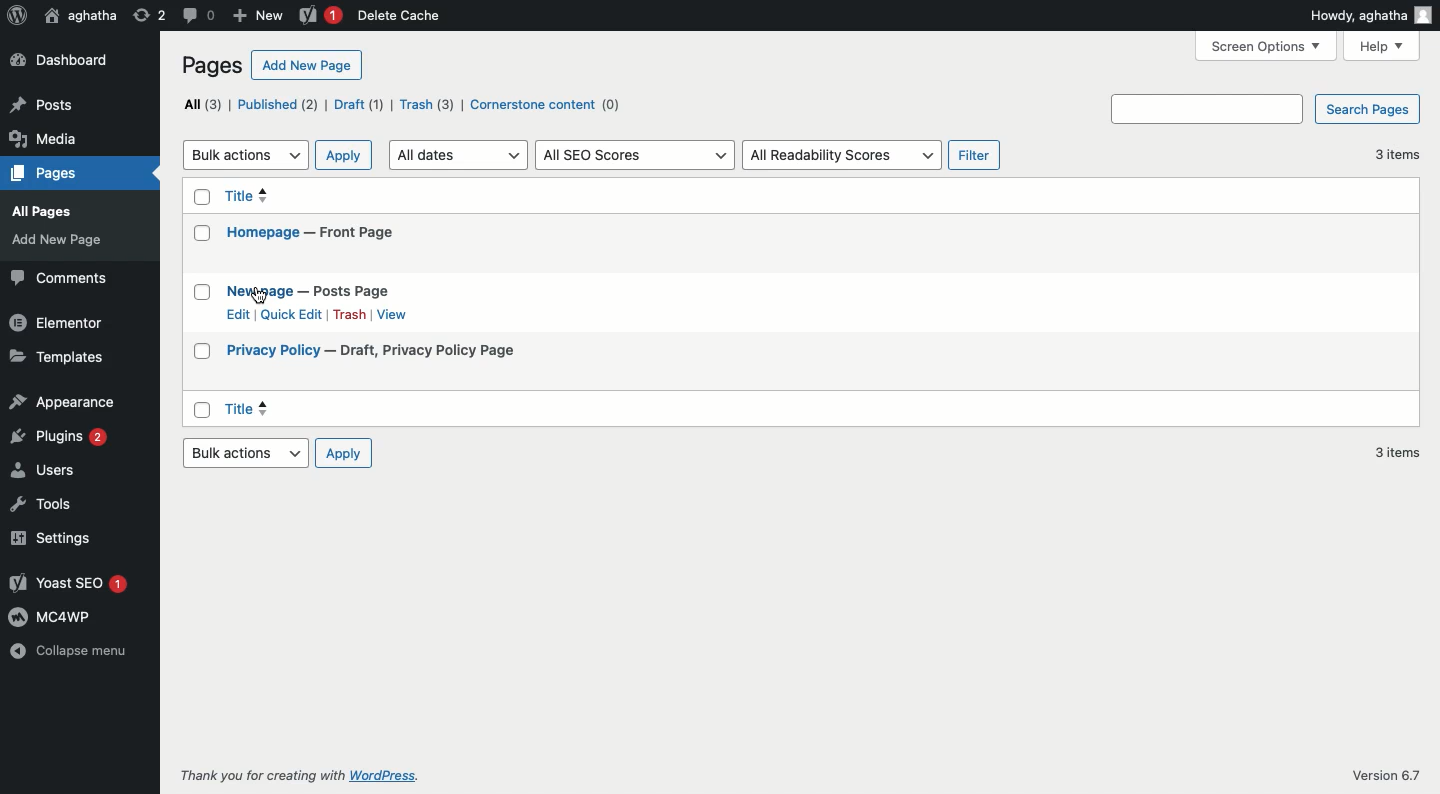  What do you see at coordinates (402, 16) in the screenshot?
I see `Delete cache` at bounding box center [402, 16].